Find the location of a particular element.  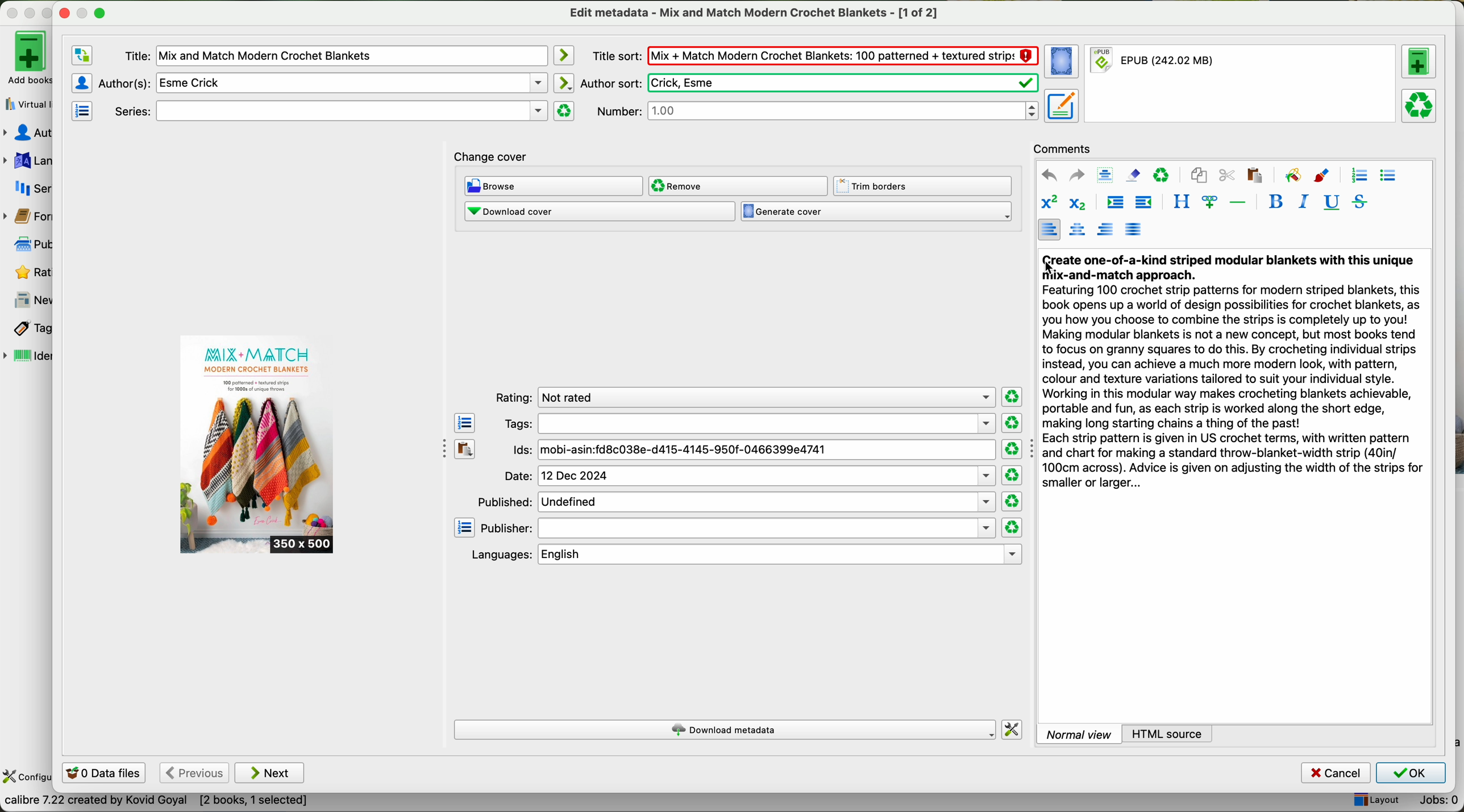

maximize is located at coordinates (52, 14).